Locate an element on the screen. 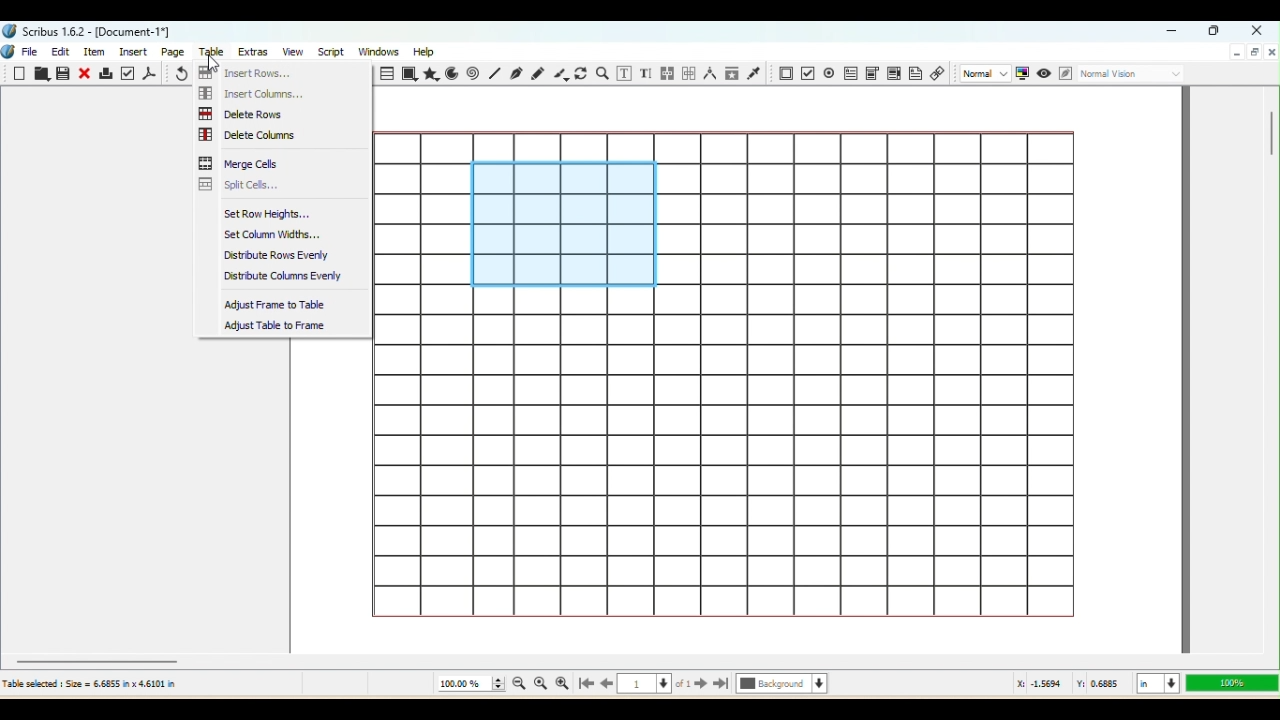 This screenshot has height=720, width=1280. Calligraphic line is located at coordinates (559, 74).